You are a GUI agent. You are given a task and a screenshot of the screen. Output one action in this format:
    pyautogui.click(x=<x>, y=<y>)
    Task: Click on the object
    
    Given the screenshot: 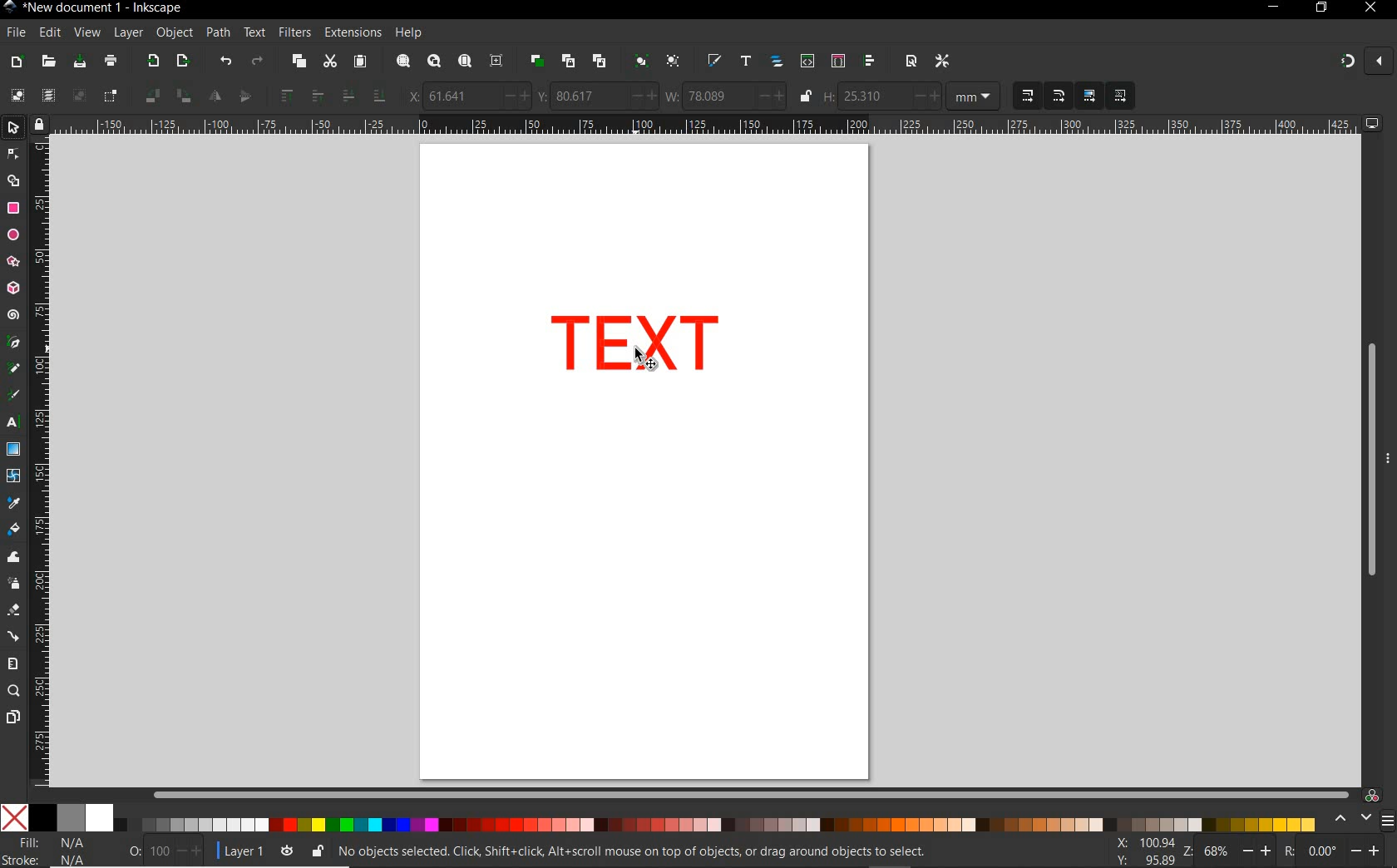 What is the action you would take?
    pyautogui.click(x=175, y=33)
    